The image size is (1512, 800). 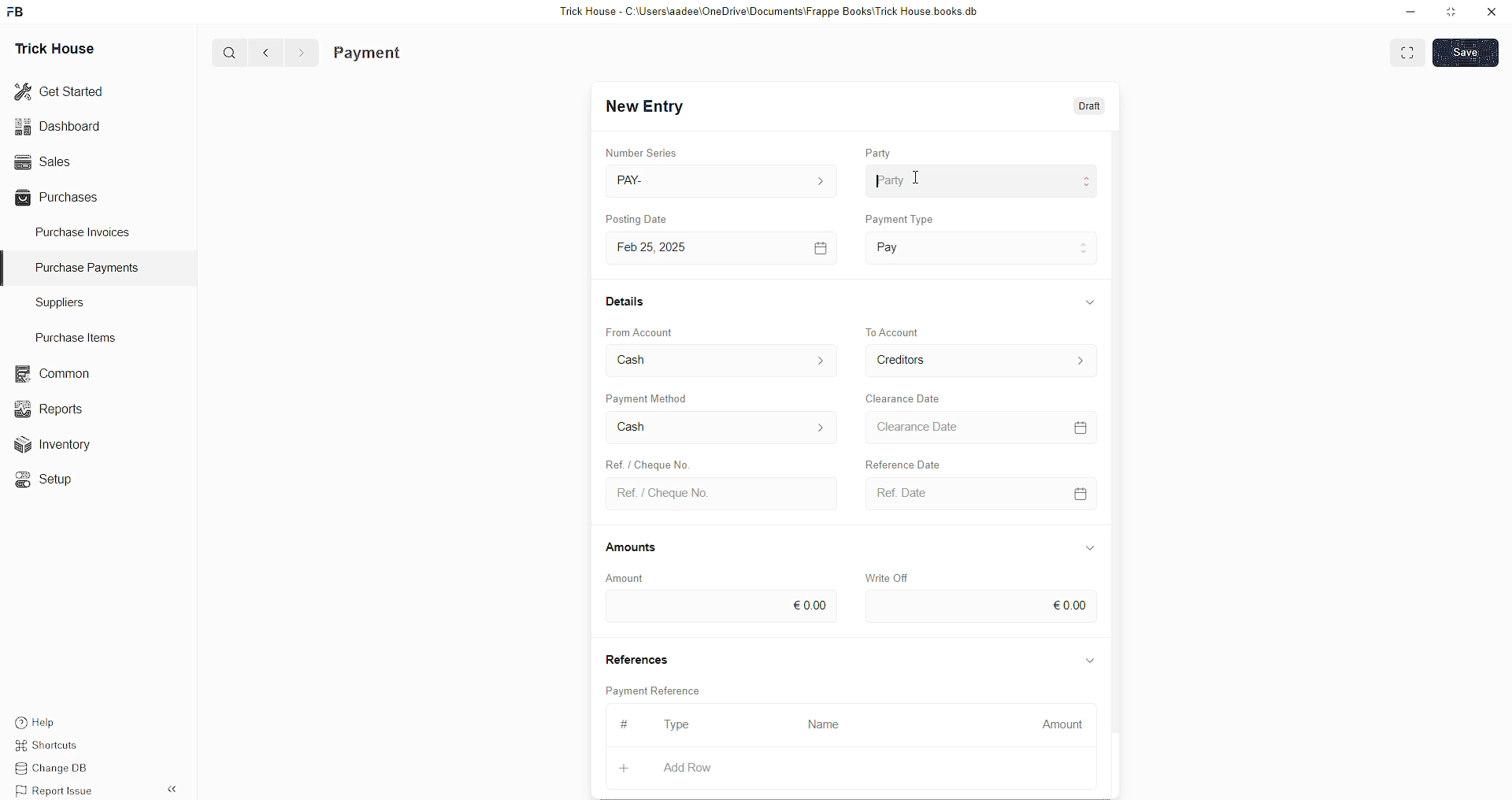 What do you see at coordinates (59, 791) in the screenshot?
I see `Report Issue` at bounding box center [59, 791].